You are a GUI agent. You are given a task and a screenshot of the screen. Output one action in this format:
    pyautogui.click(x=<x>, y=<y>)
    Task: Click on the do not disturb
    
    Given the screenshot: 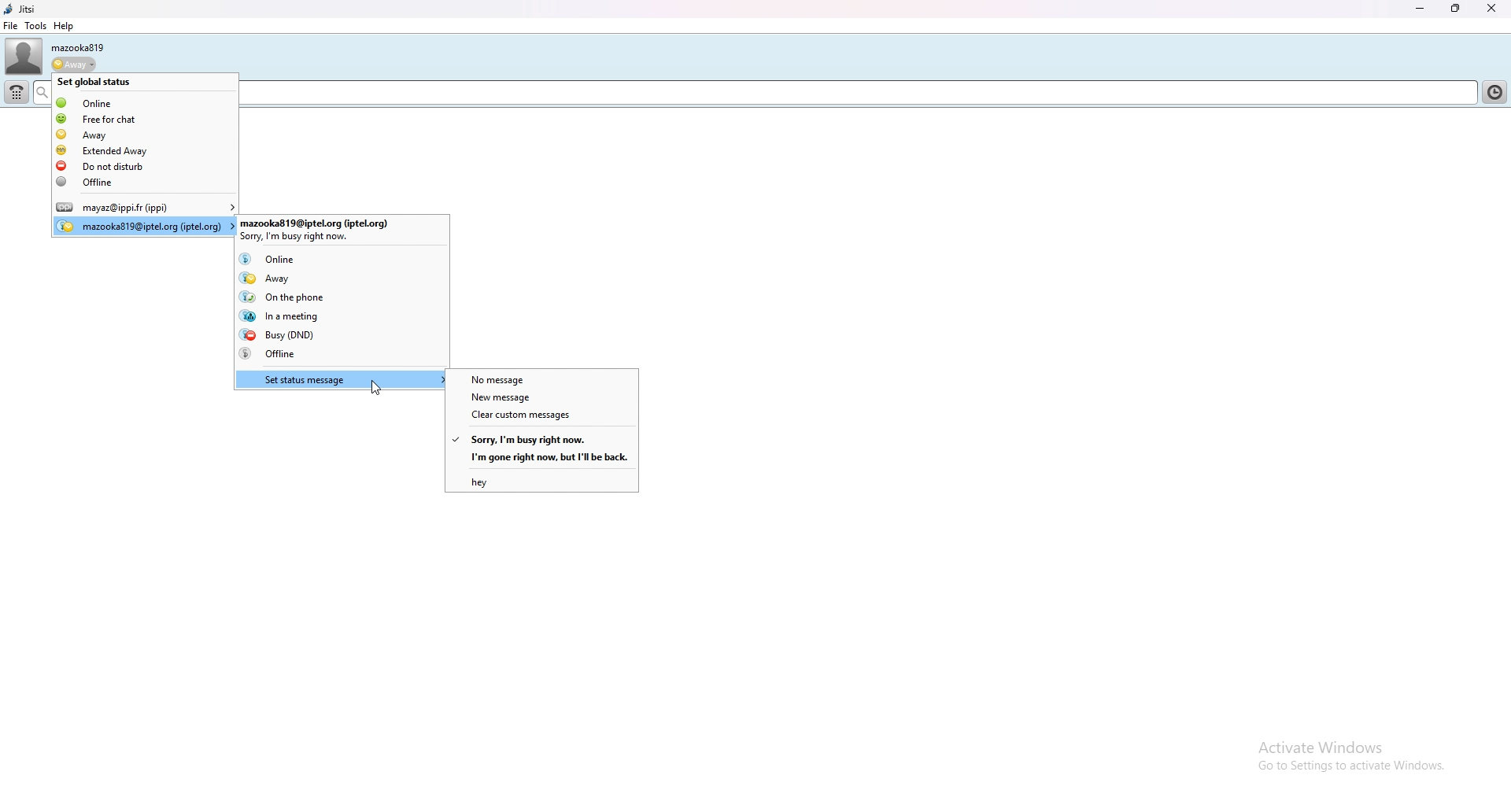 What is the action you would take?
    pyautogui.click(x=146, y=165)
    